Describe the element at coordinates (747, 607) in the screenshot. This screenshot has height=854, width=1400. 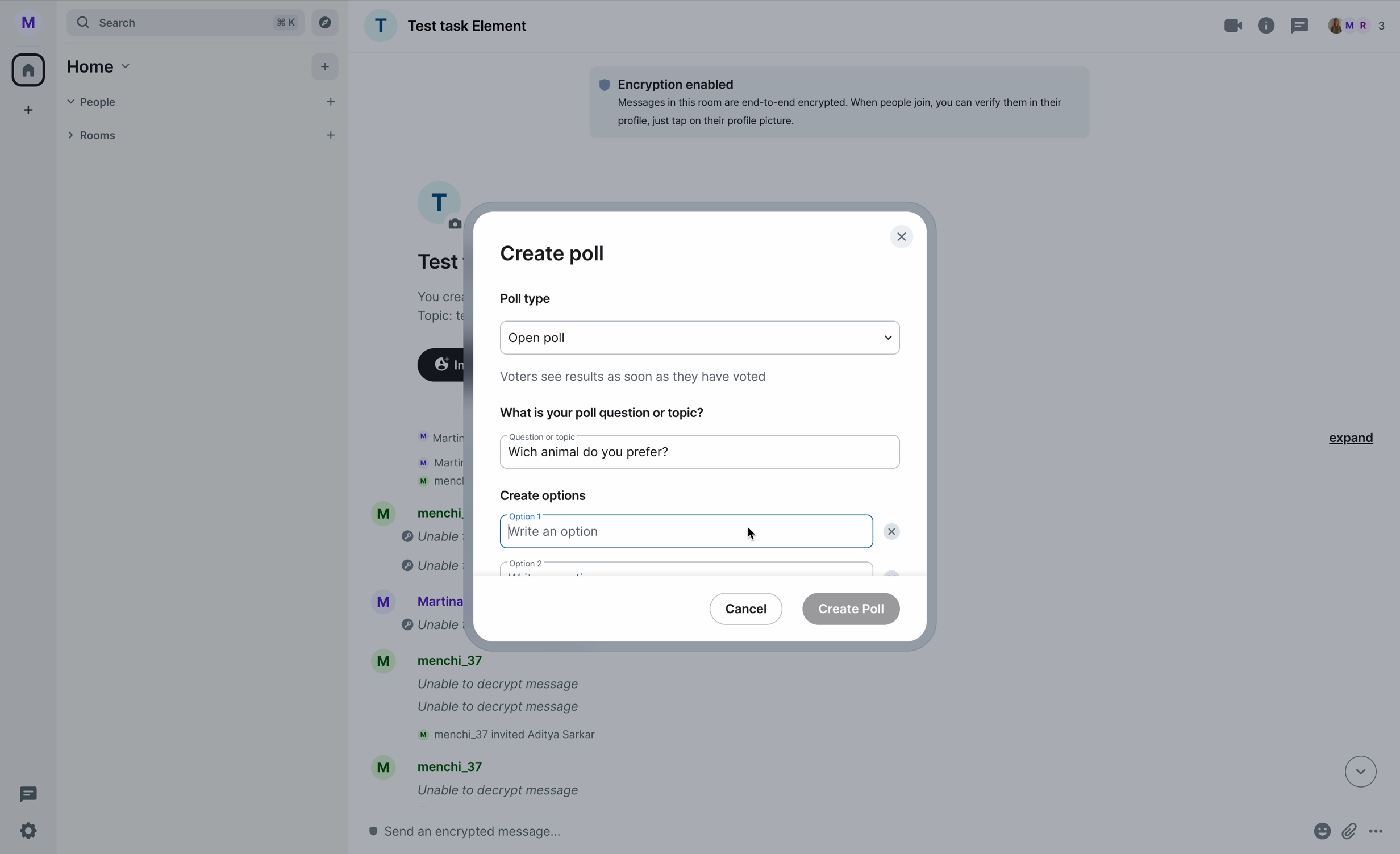
I see `cancel button` at that location.